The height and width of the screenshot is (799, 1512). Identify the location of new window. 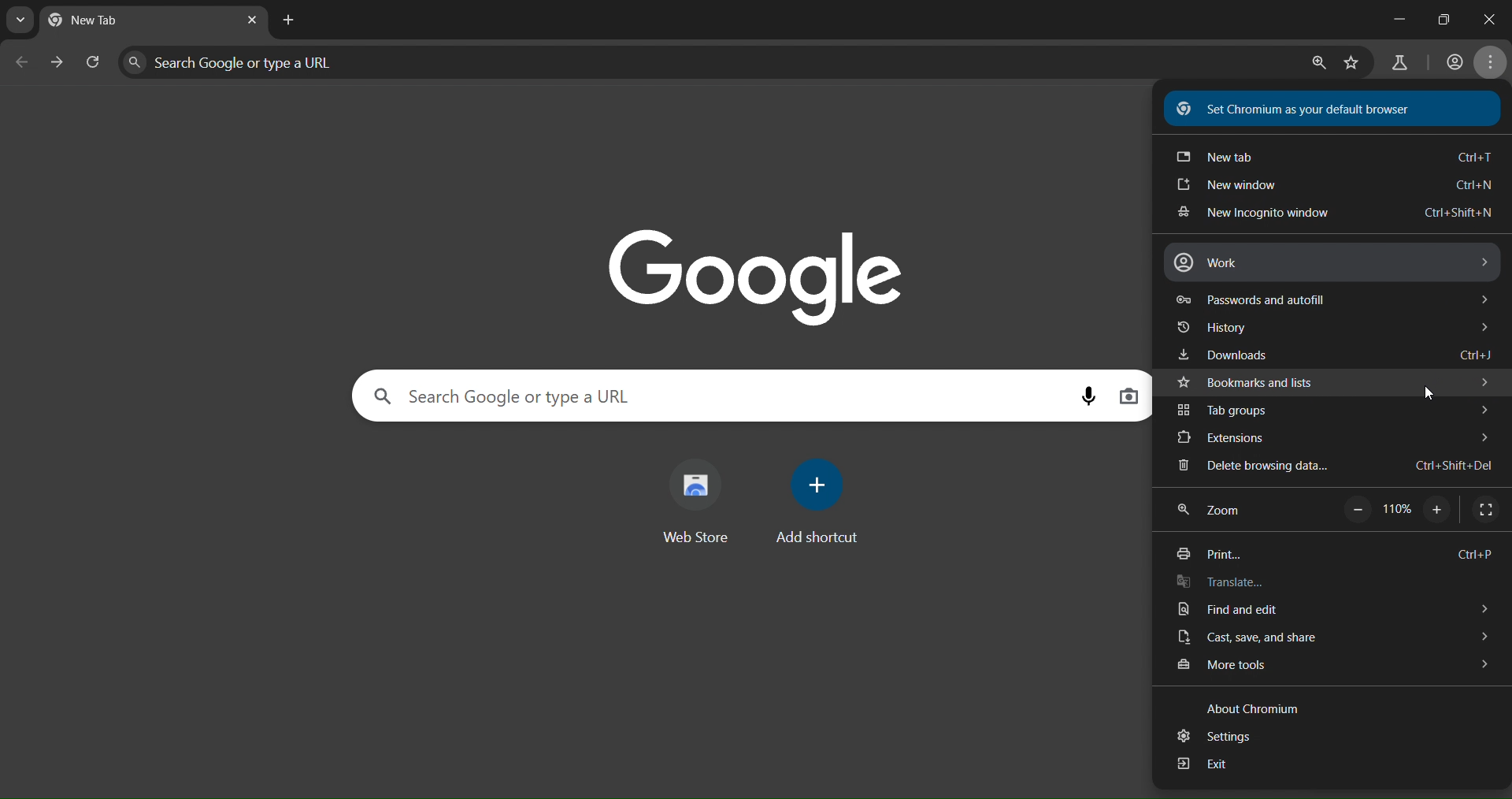
(1329, 187).